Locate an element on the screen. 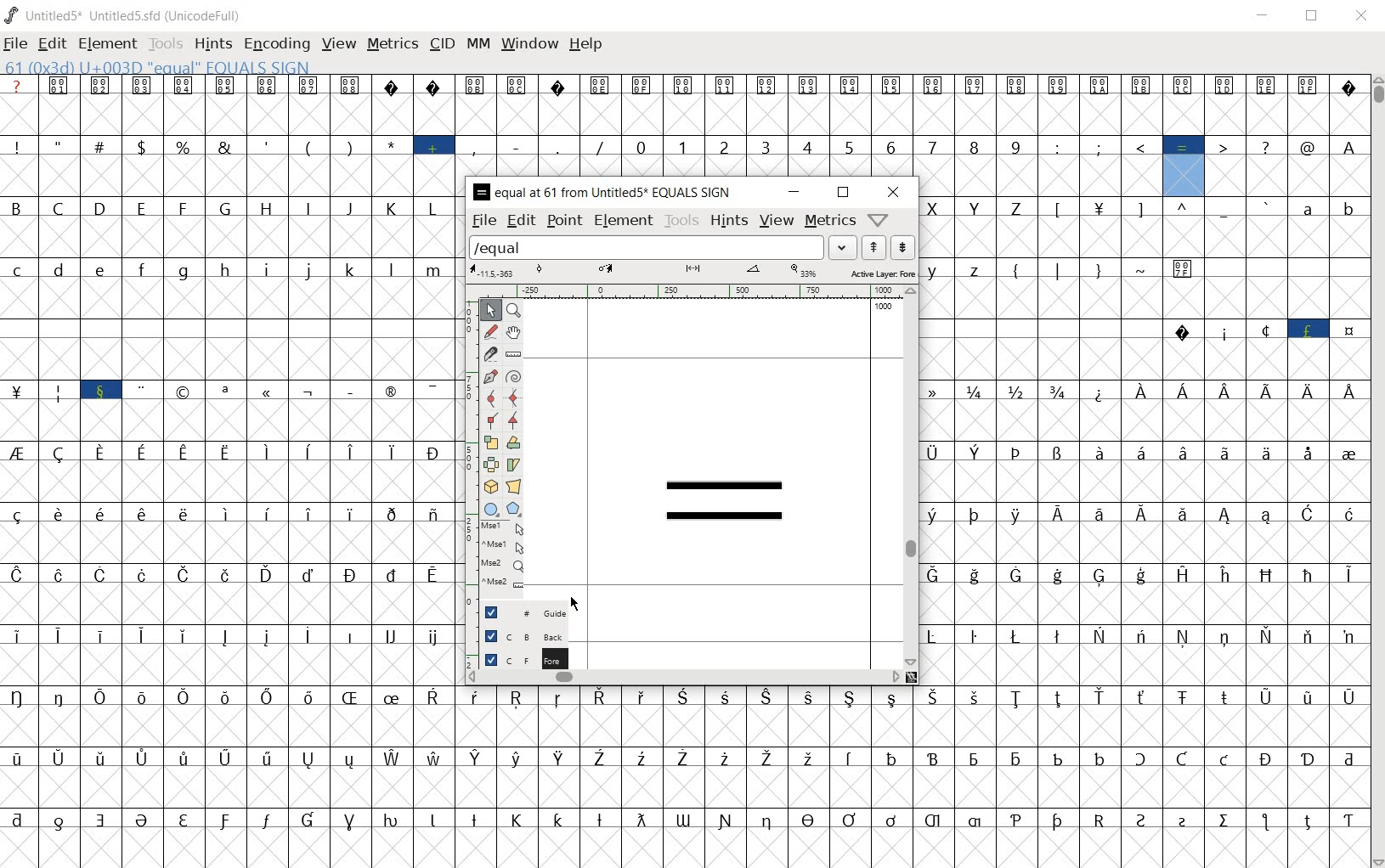 The image size is (1385, 868). ruler is located at coordinates (709, 291).